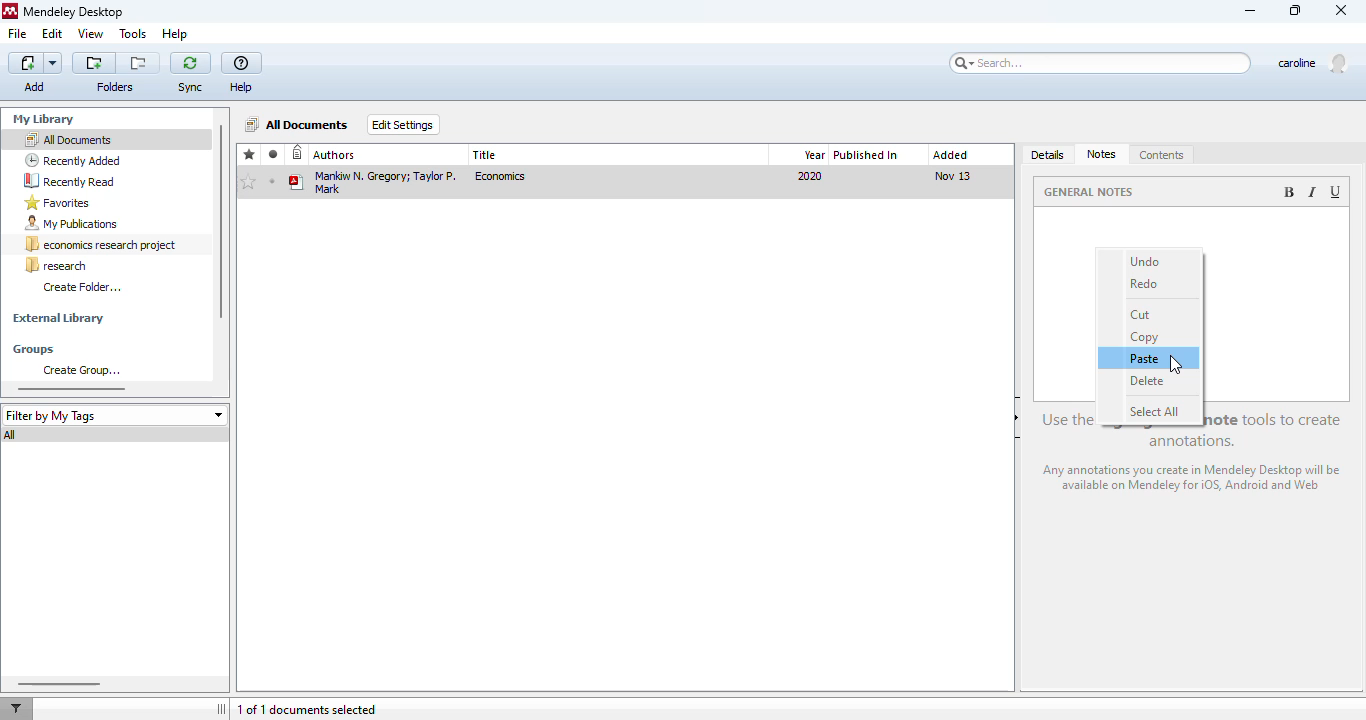  I want to click on recently added, so click(298, 154).